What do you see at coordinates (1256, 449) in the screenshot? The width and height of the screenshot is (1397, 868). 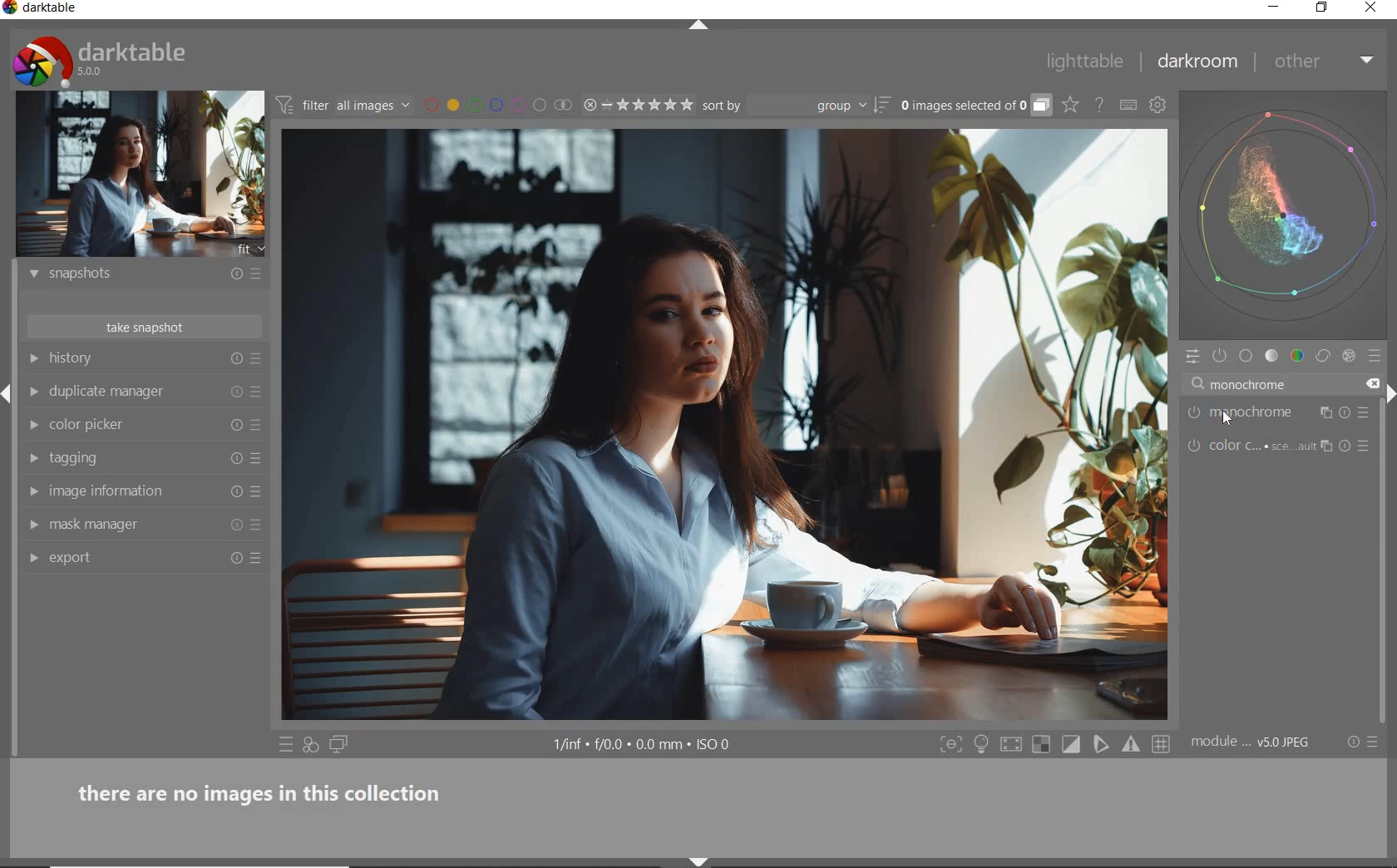 I see `color c...` at bounding box center [1256, 449].